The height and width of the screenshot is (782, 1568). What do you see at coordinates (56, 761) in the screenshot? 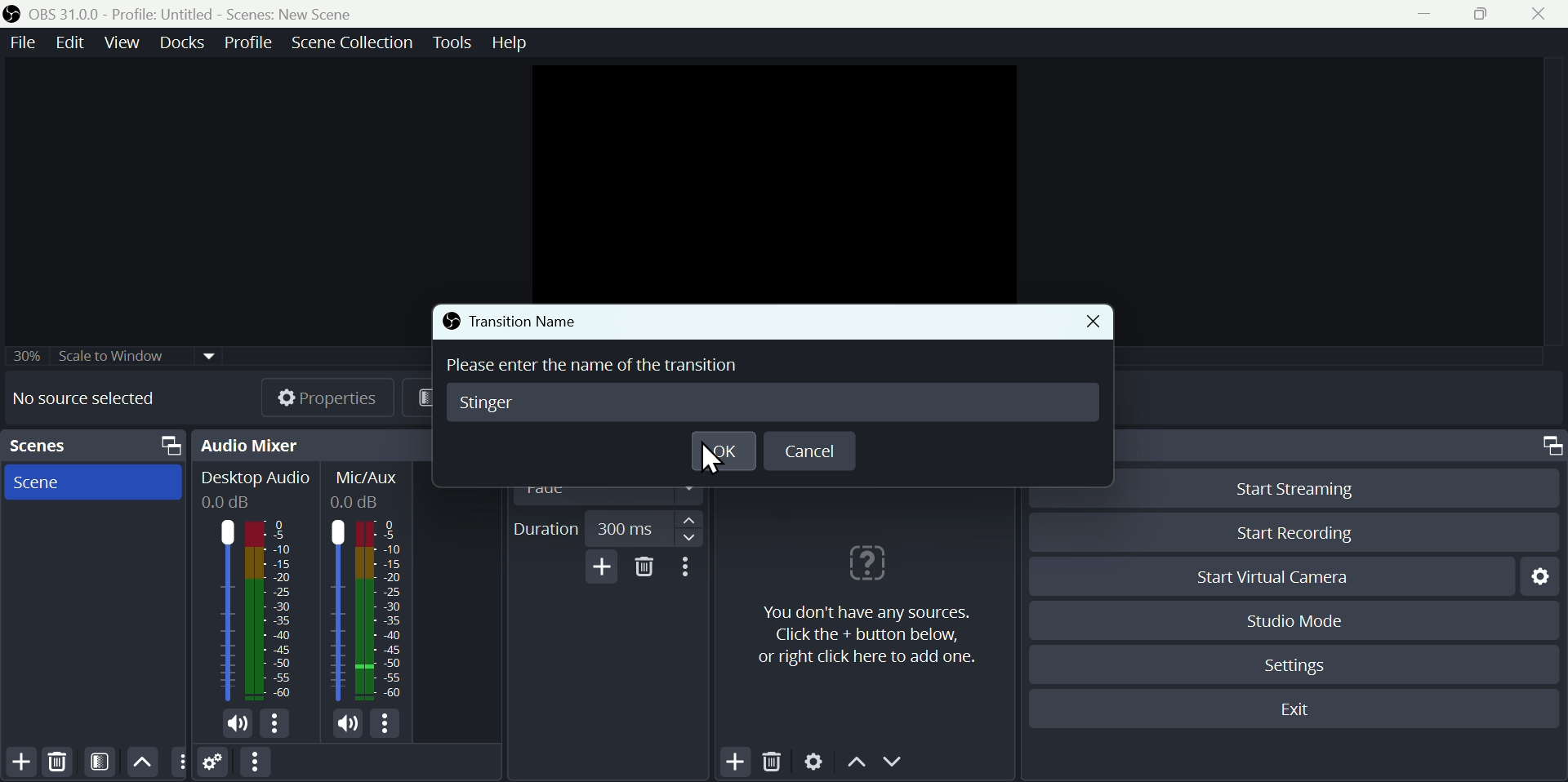
I see `Delete` at bounding box center [56, 761].